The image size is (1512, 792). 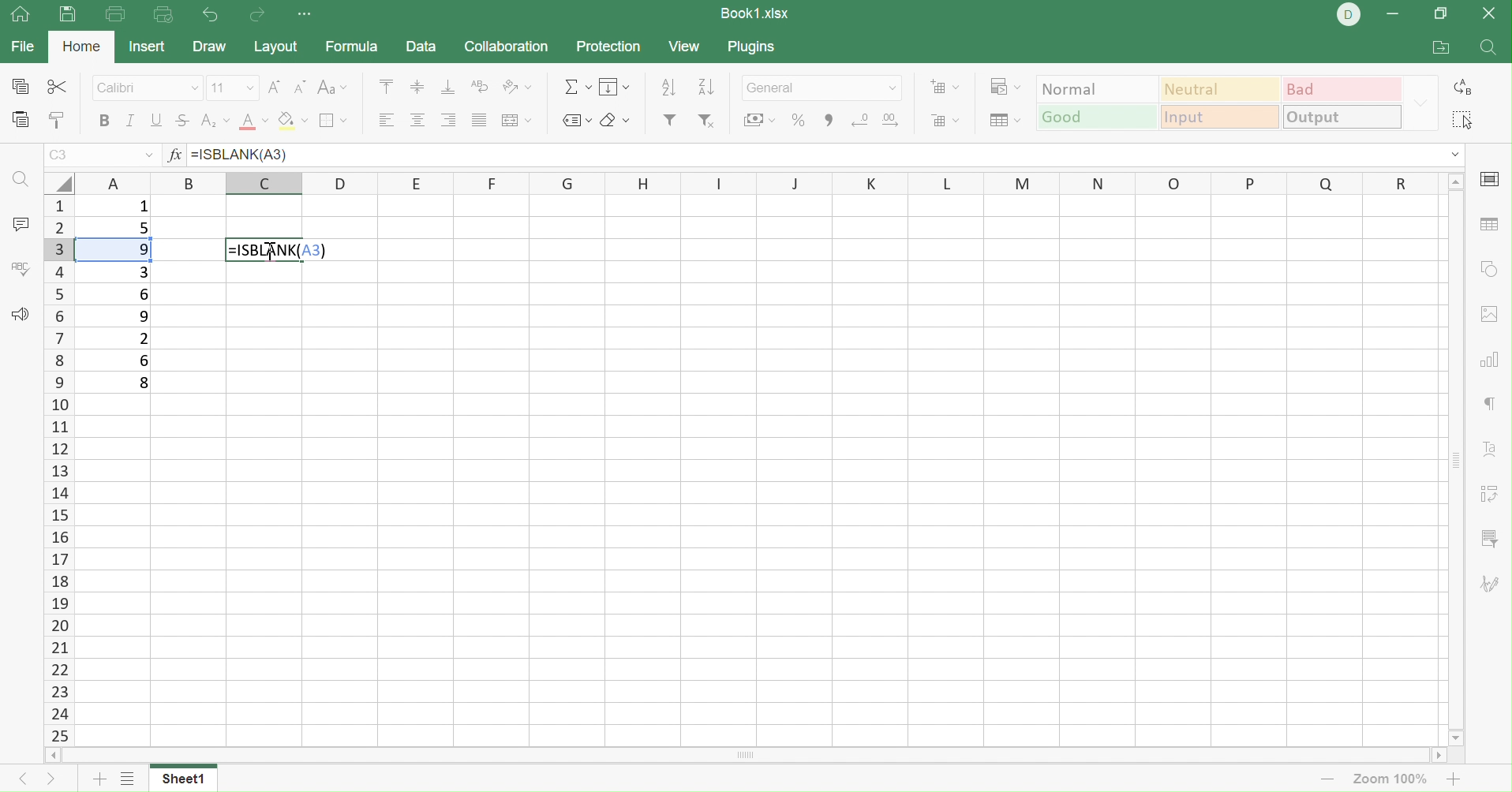 I want to click on Draw, so click(x=208, y=47).